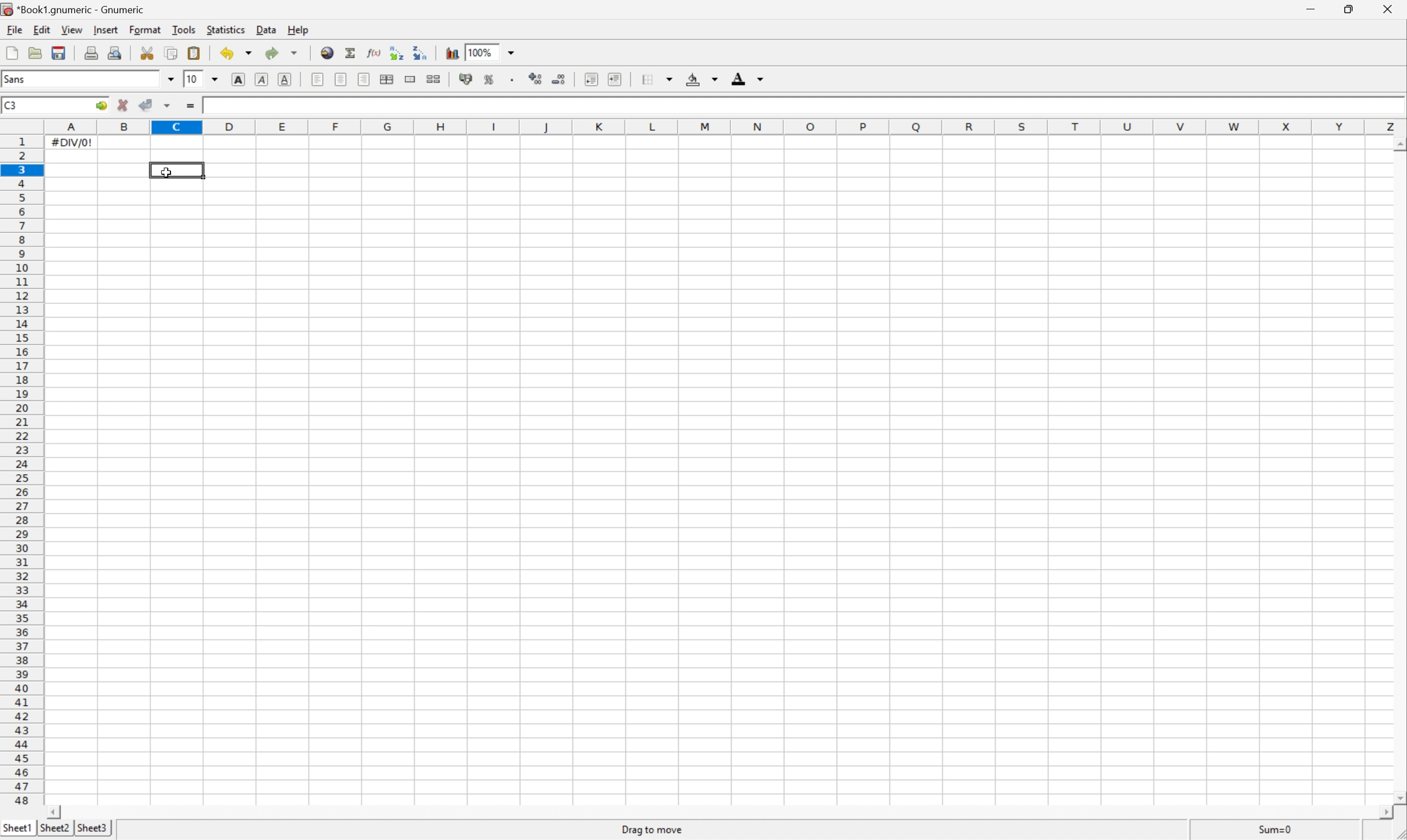 The width and height of the screenshot is (1407, 840). Describe the element at coordinates (108, 29) in the screenshot. I see `Insert` at that location.